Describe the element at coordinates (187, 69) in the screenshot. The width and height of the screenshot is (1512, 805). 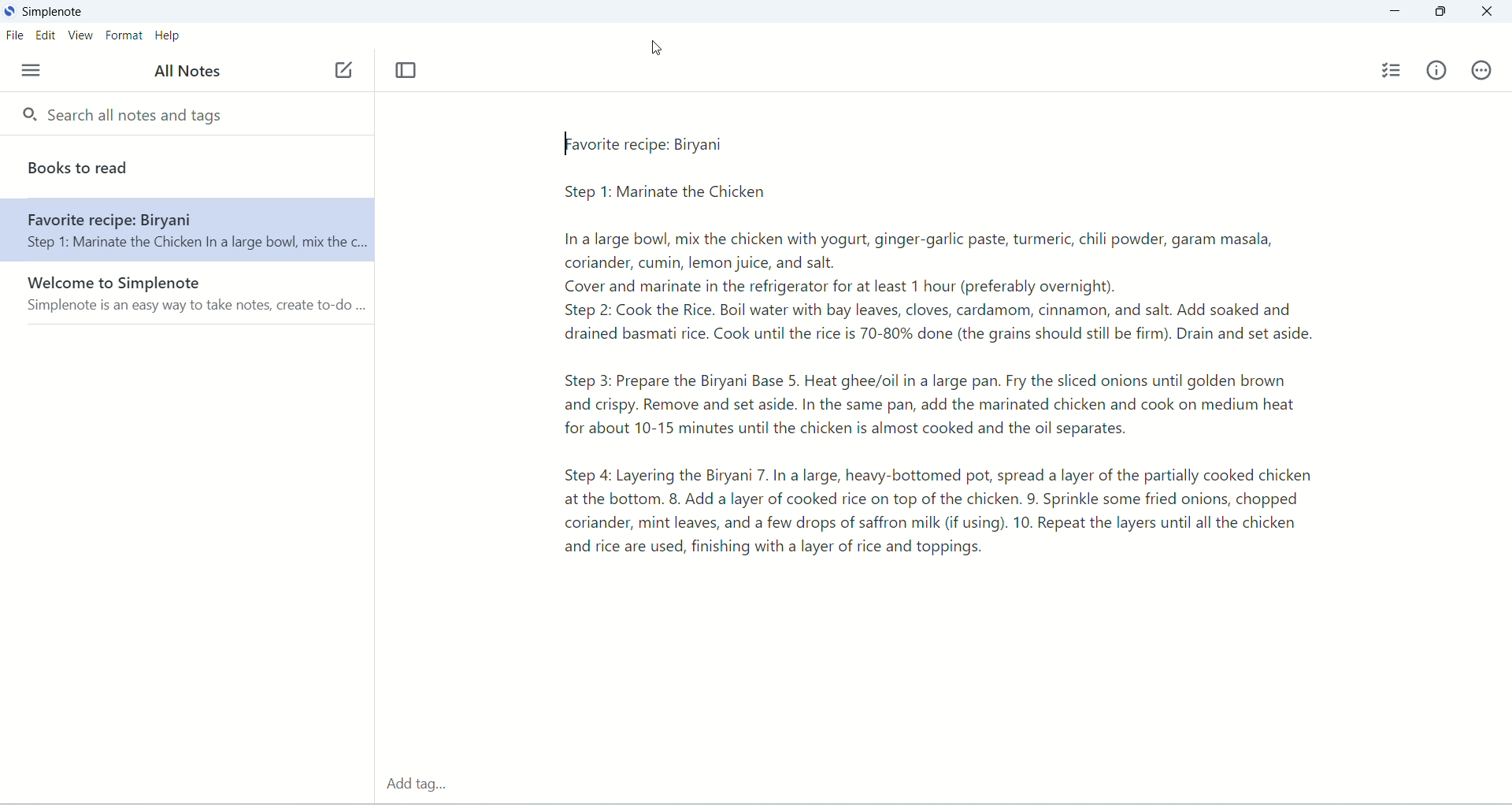
I see `all notes` at that location.